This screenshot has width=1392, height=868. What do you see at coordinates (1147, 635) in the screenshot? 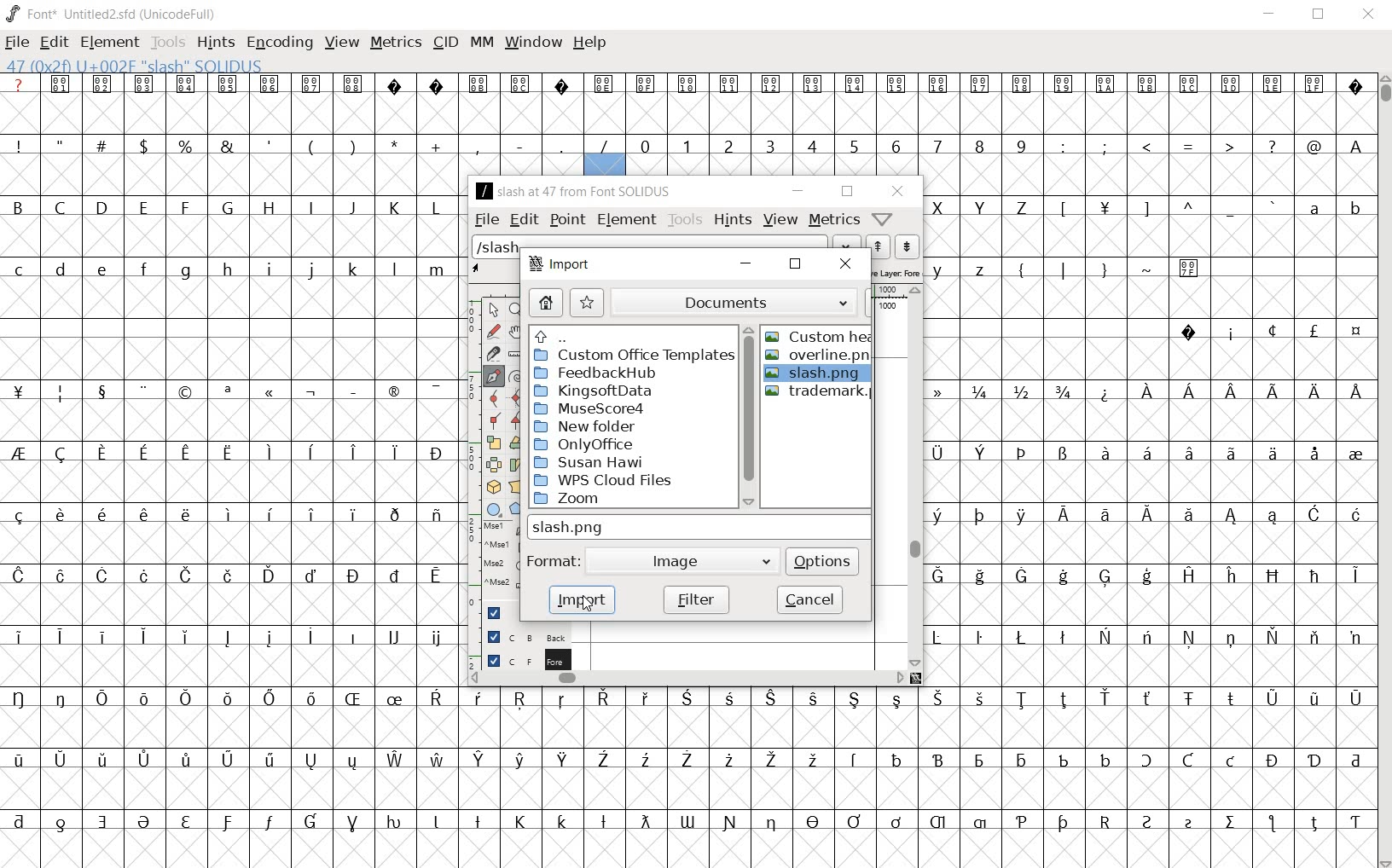
I see `special letters` at bounding box center [1147, 635].